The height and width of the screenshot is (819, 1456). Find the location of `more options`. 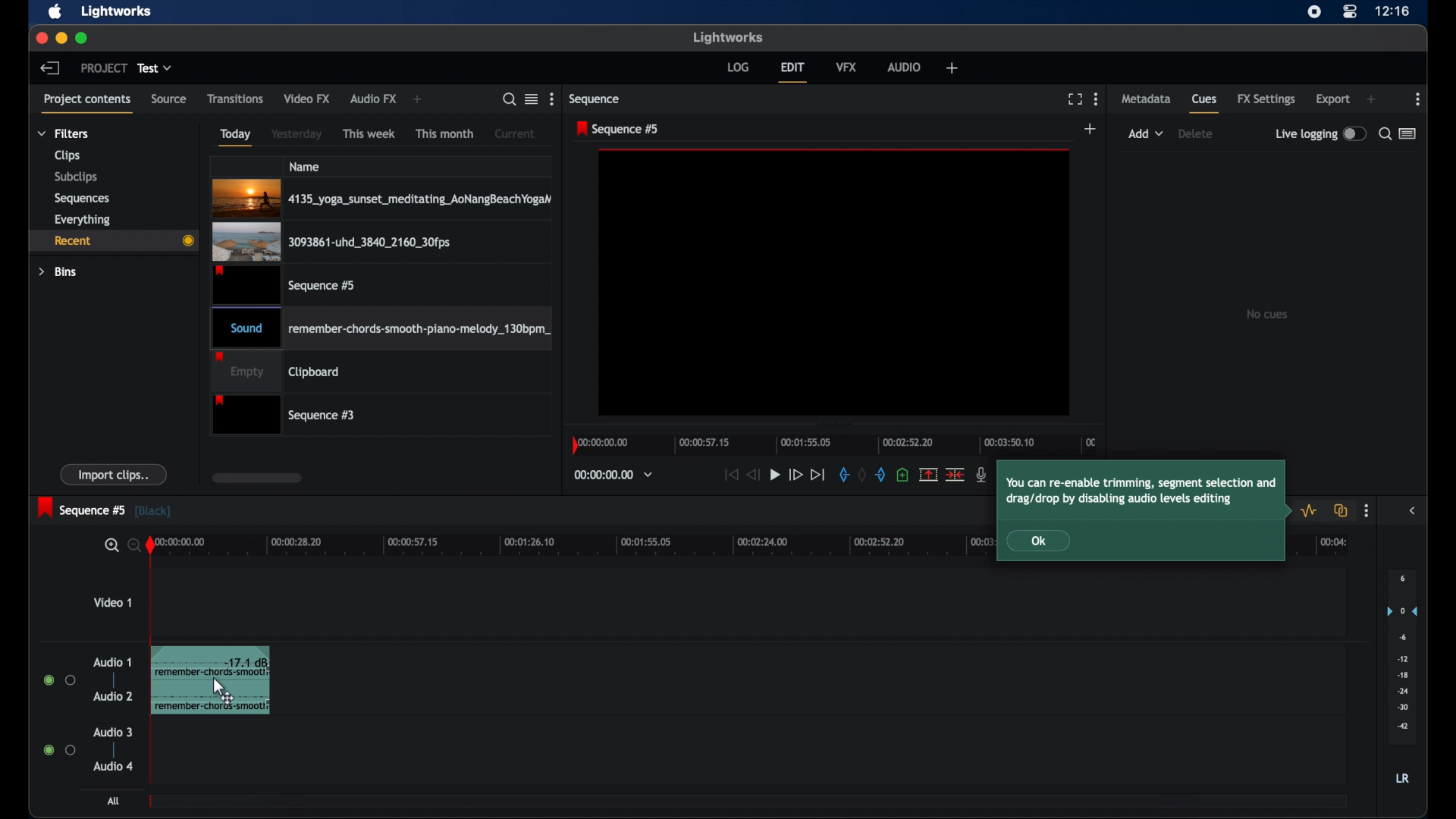

more options is located at coordinates (552, 99).